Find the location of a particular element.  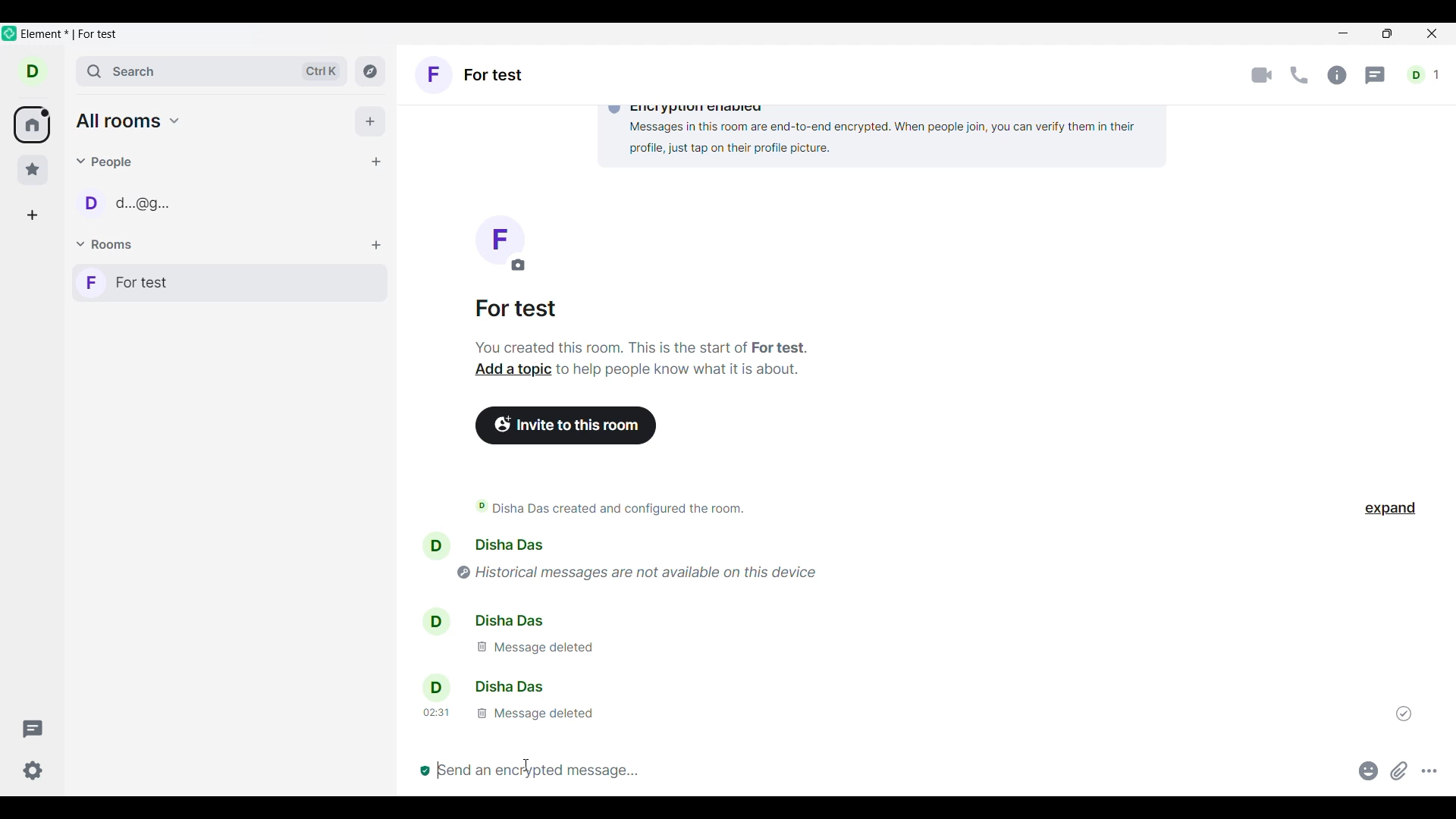

Add is located at coordinates (370, 121).